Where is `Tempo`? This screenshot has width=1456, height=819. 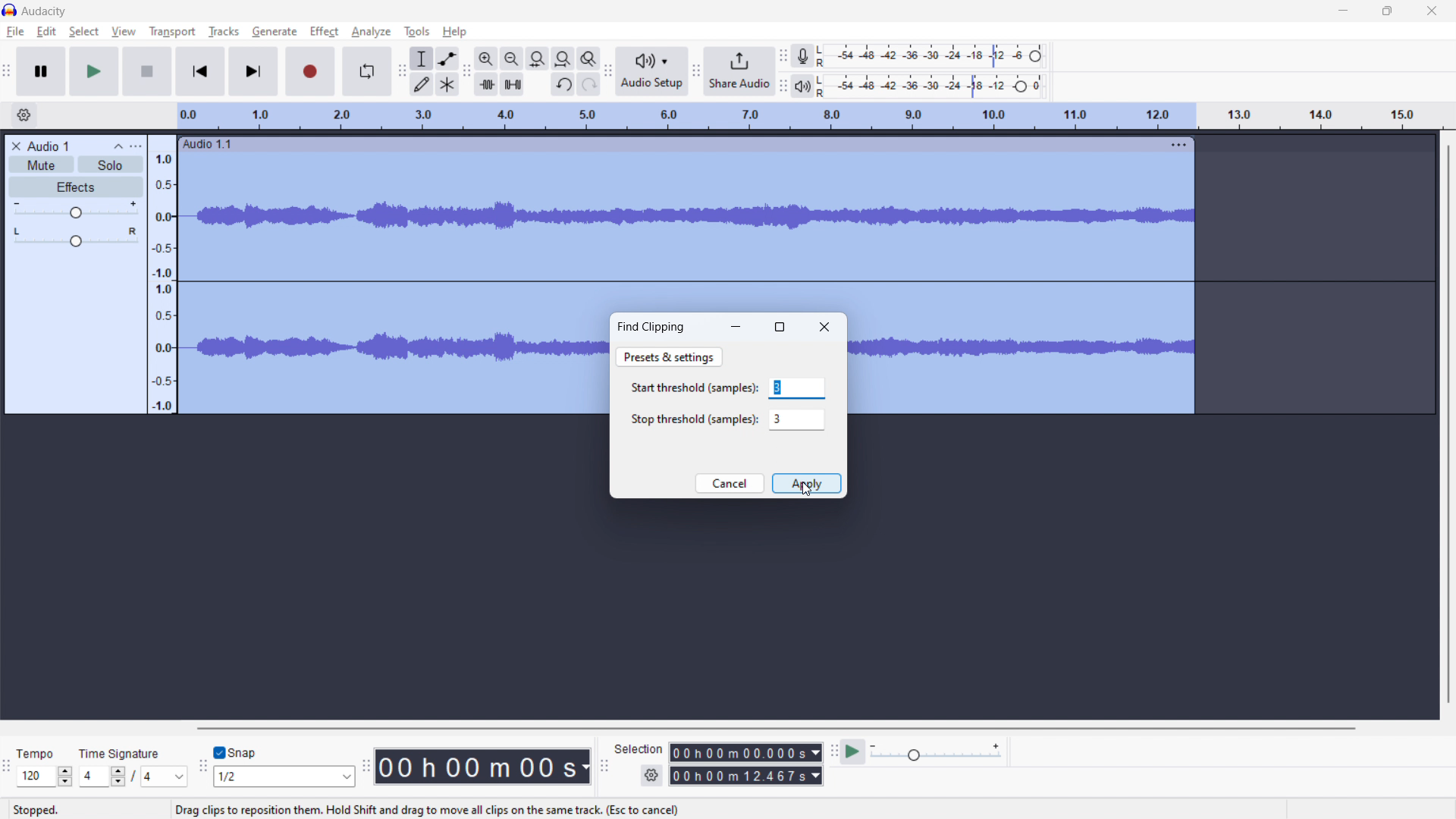 Tempo is located at coordinates (44, 748).